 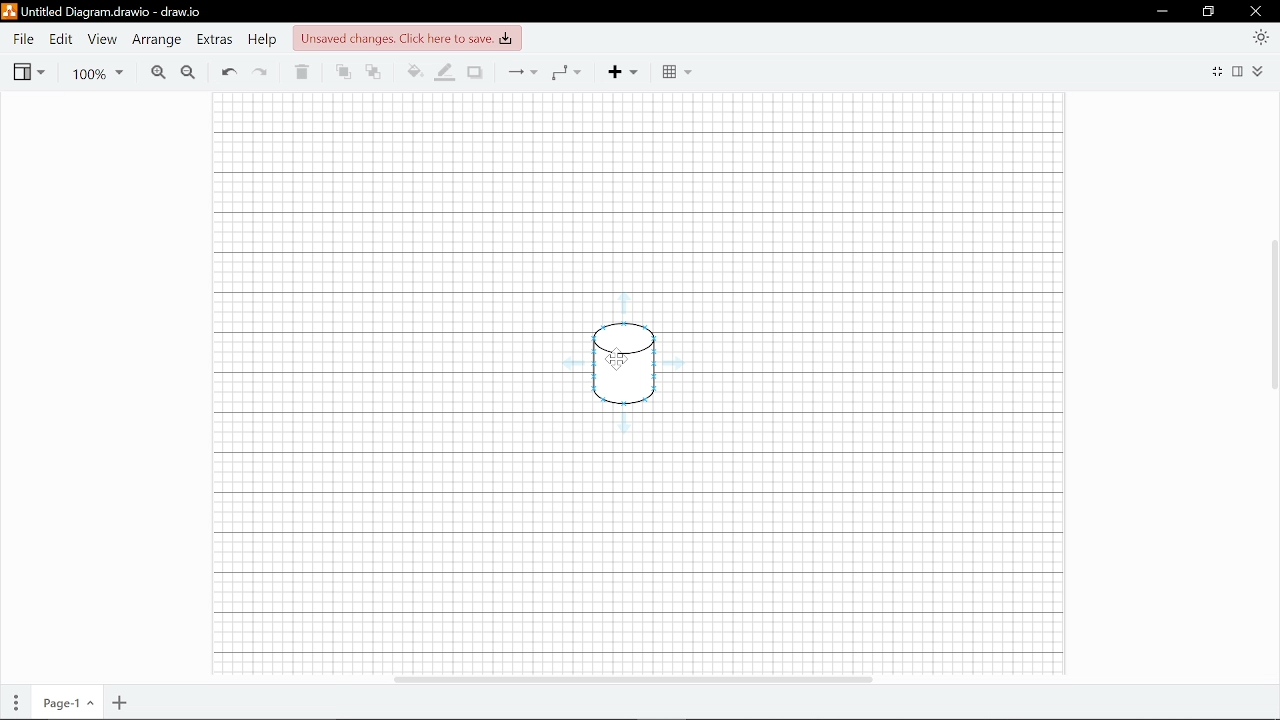 I want to click on Edit, so click(x=62, y=40).